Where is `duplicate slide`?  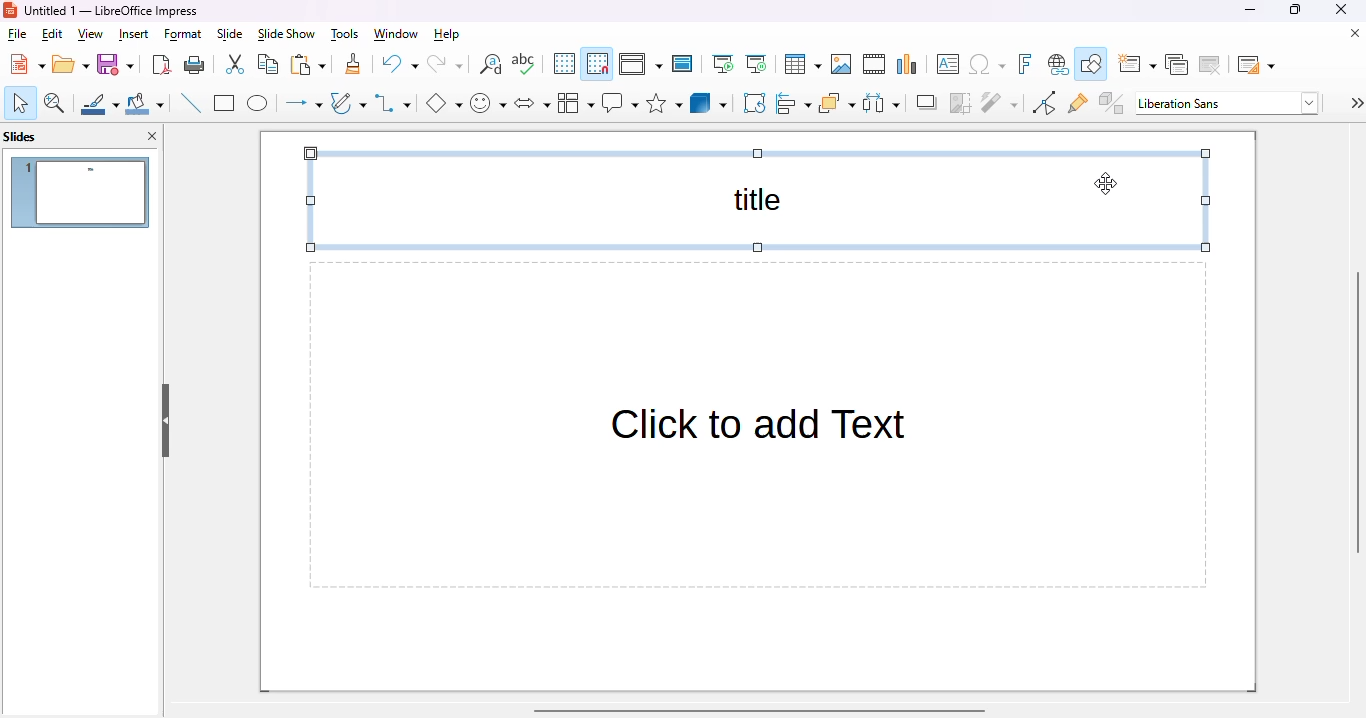
duplicate slide is located at coordinates (1176, 64).